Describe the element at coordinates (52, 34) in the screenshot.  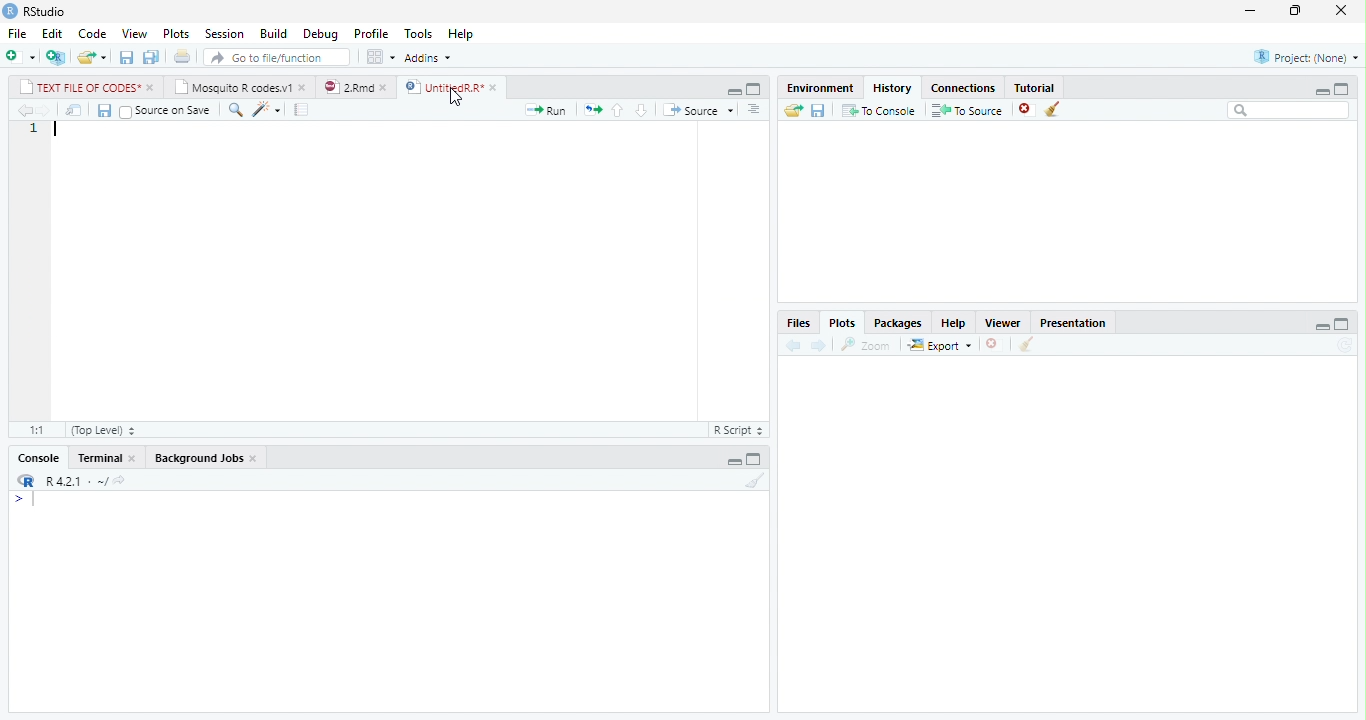
I see `Edit` at that location.